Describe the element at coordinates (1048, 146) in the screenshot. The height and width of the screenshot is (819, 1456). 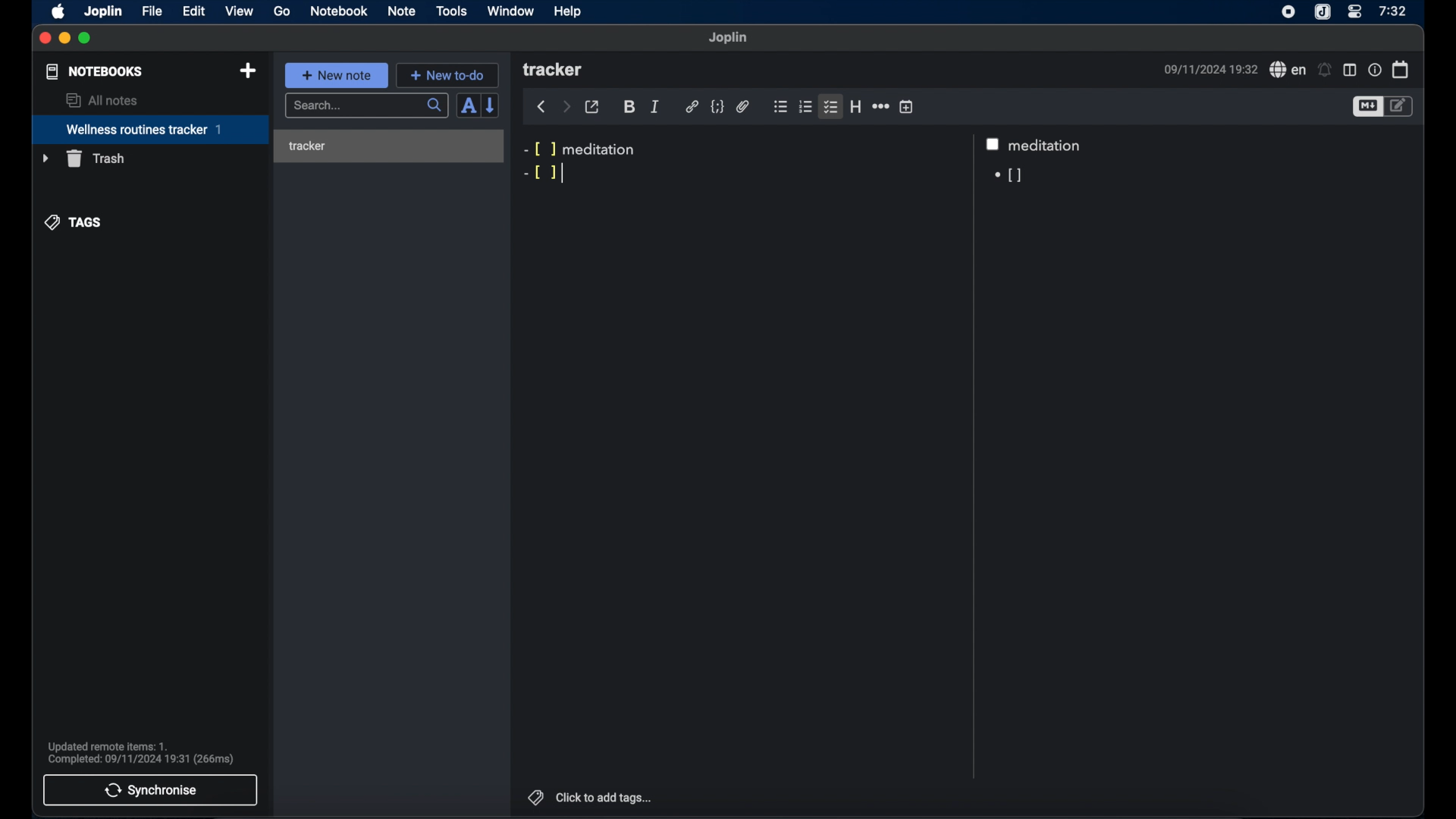
I see `meditation ` at that location.